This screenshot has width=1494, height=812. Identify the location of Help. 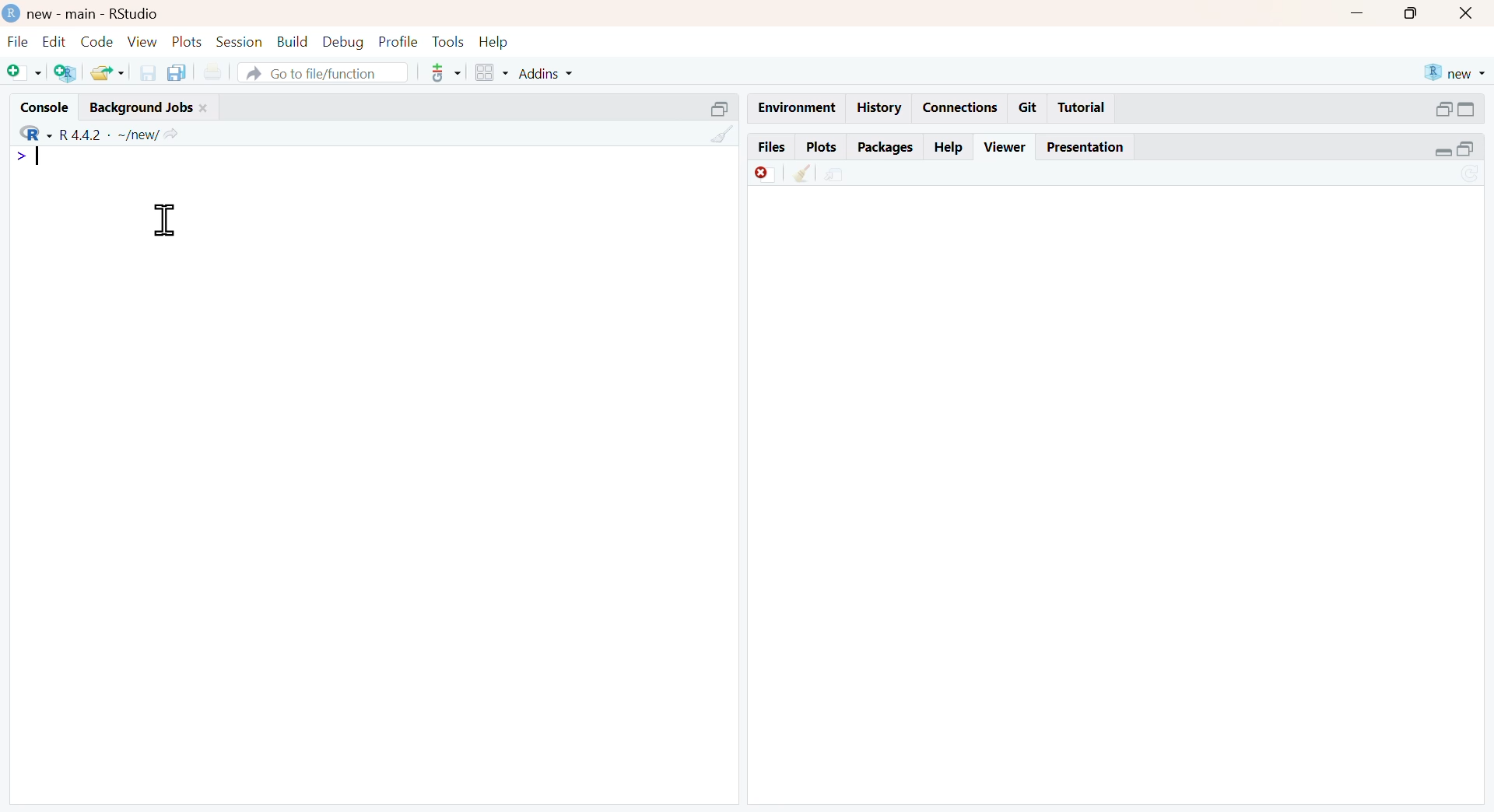
(497, 41).